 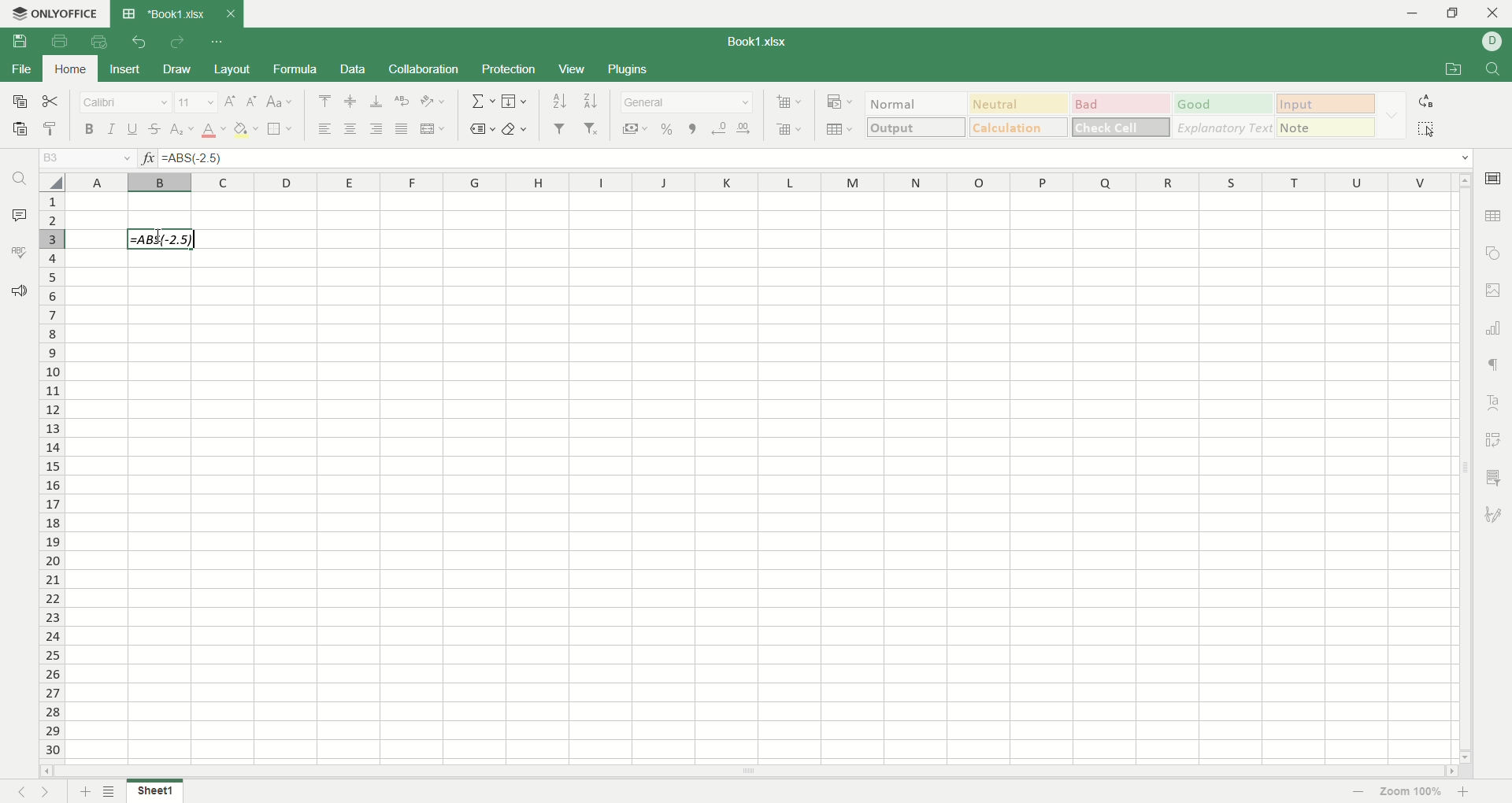 I want to click on subscript/superscript, so click(x=183, y=128).